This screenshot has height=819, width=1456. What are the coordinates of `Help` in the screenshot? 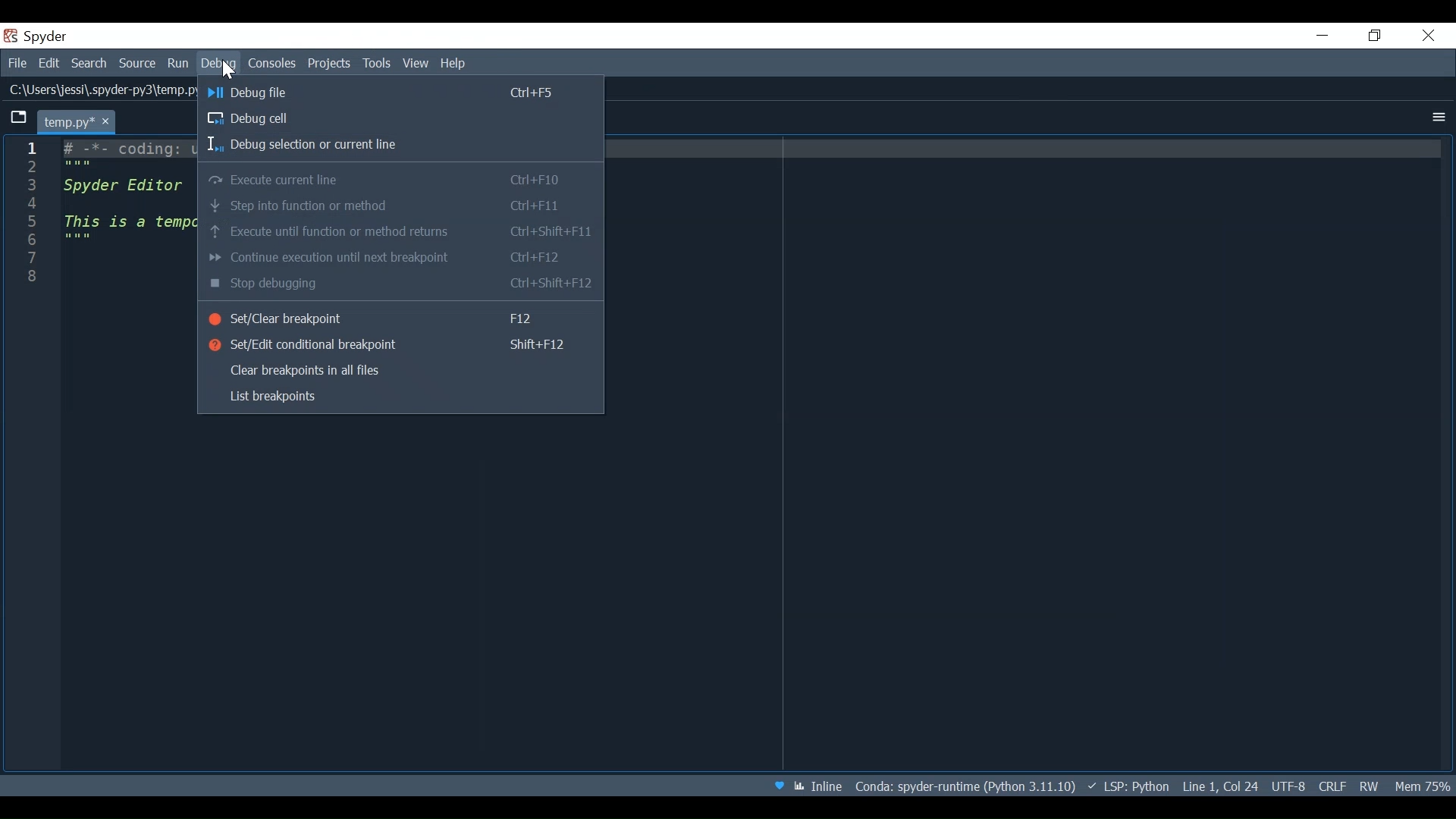 It's located at (454, 64).